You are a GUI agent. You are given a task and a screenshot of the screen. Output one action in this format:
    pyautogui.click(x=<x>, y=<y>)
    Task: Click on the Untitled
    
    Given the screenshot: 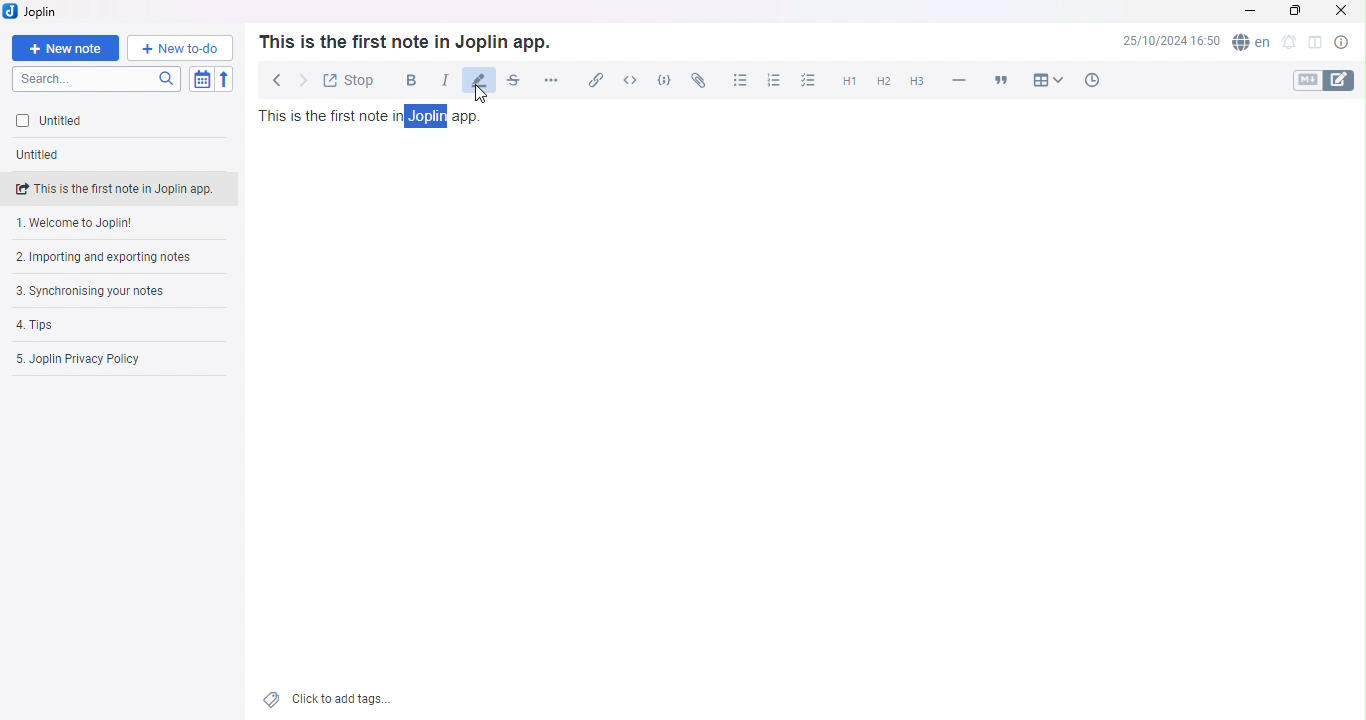 What is the action you would take?
    pyautogui.click(x=94, y=122)
    